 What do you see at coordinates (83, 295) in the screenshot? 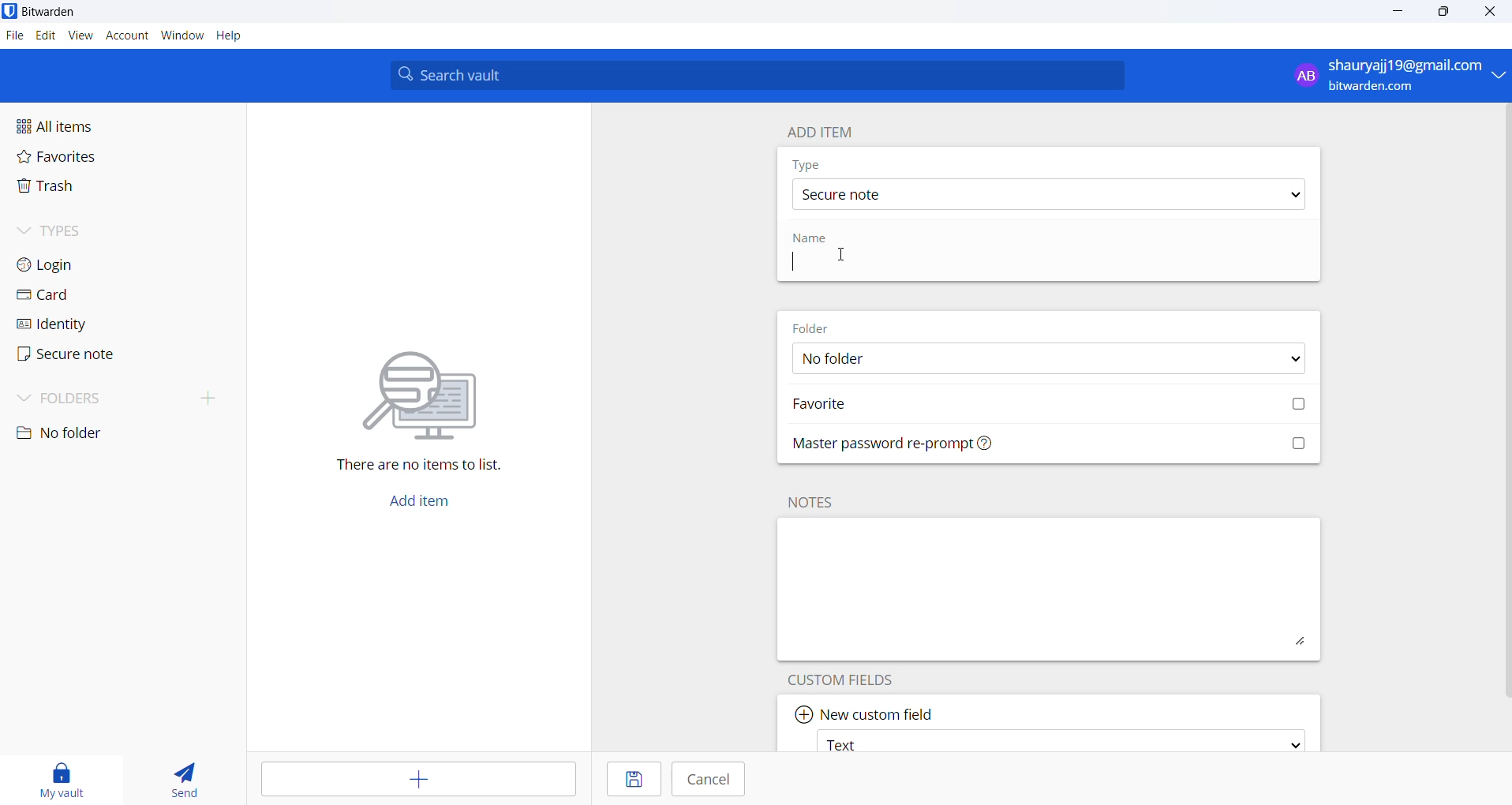
I see `card` at bounding box center [83, 295].